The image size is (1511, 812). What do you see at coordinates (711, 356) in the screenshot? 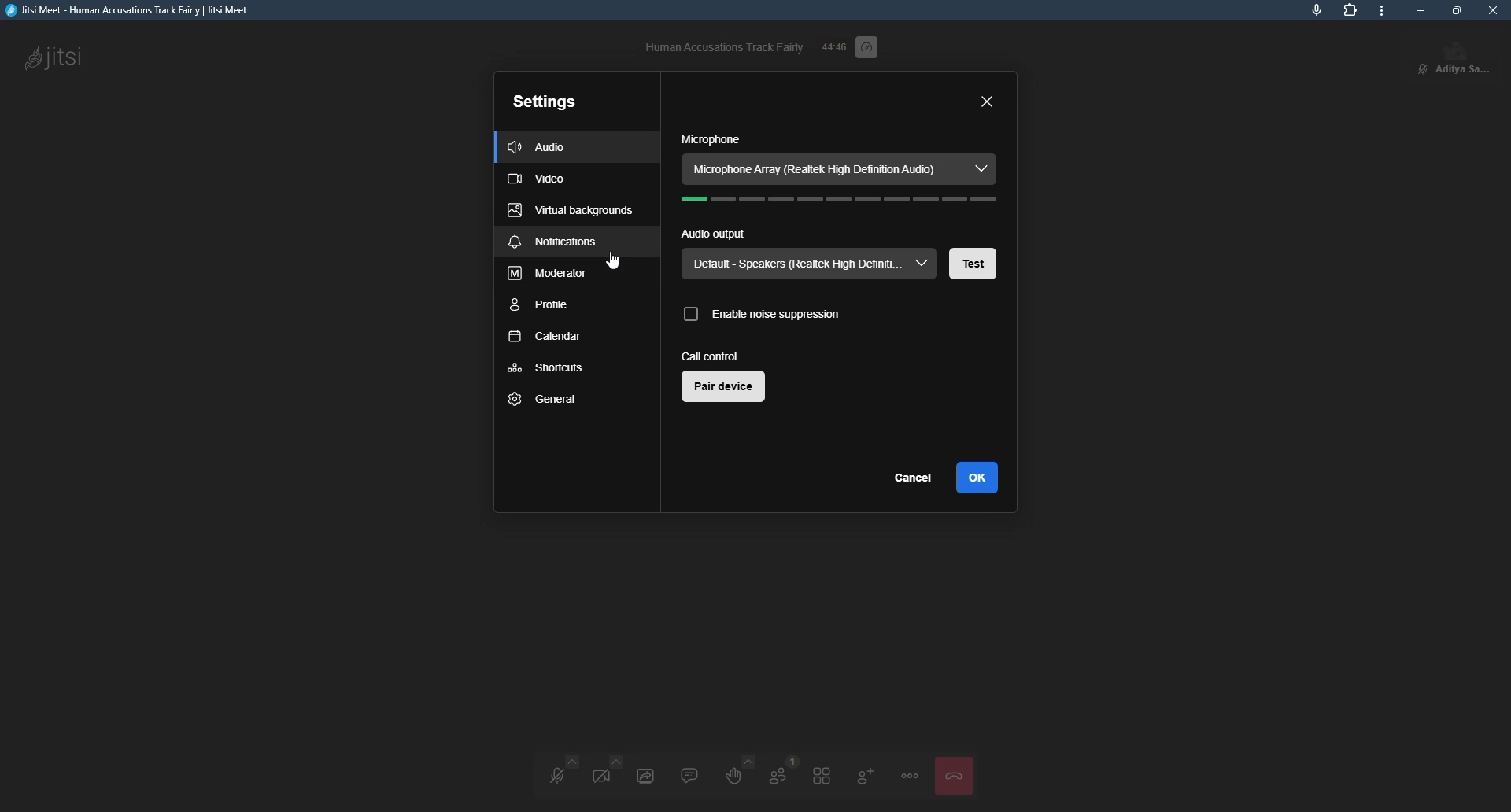
I see `call control` at bounding box center [711, 356].